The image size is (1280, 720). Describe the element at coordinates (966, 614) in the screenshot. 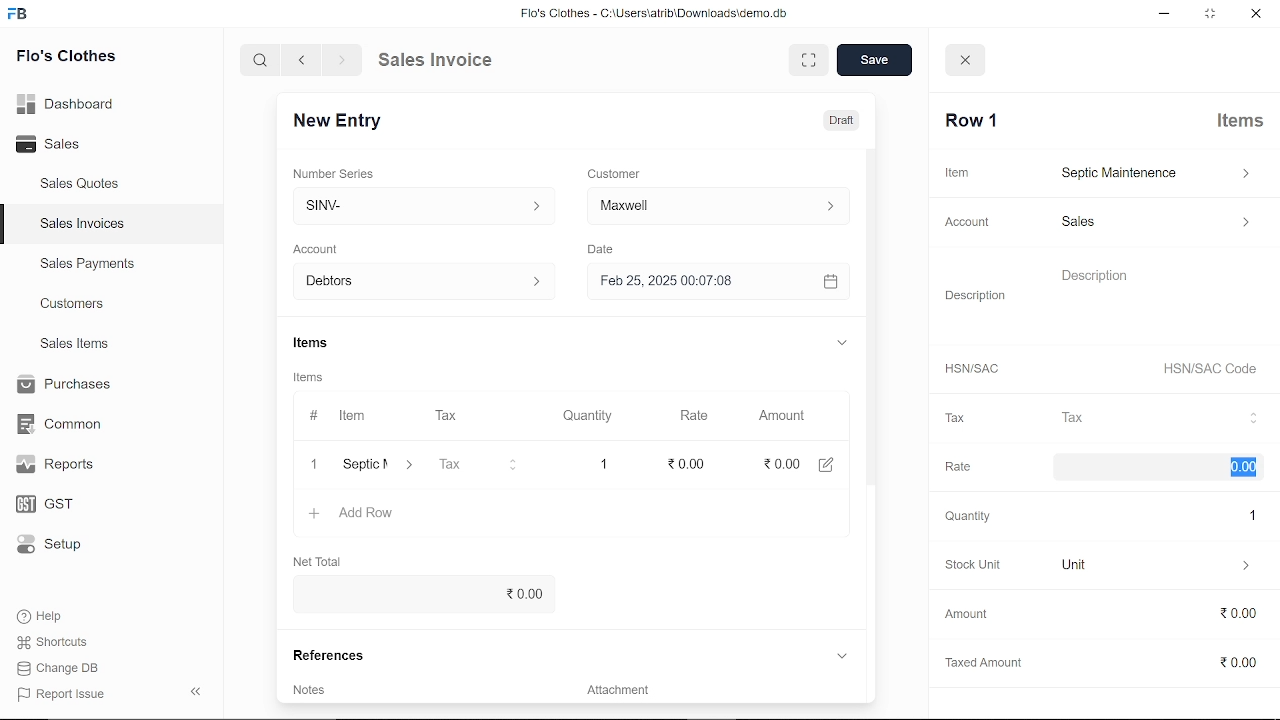

I see `‘Amount.` at that location.